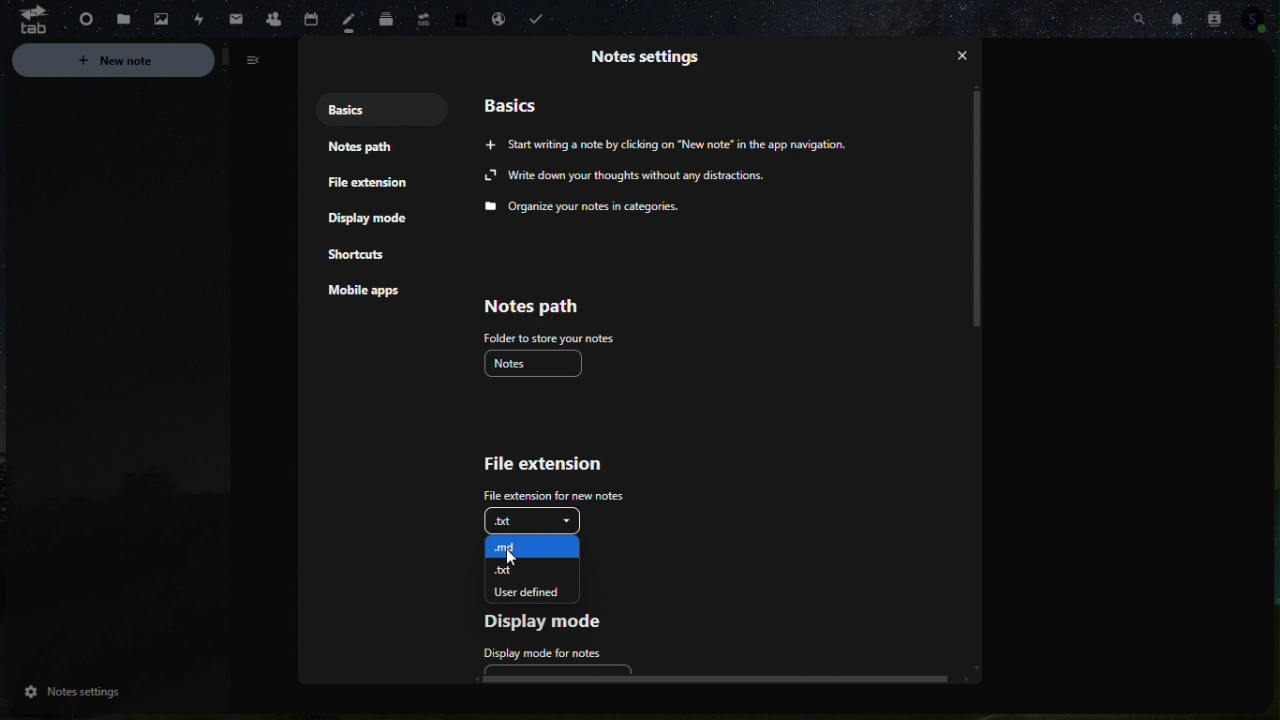 Image resolution: width=1280 pixels, height=720 pixels. I want to click on Notifications, so click(1177, 16).